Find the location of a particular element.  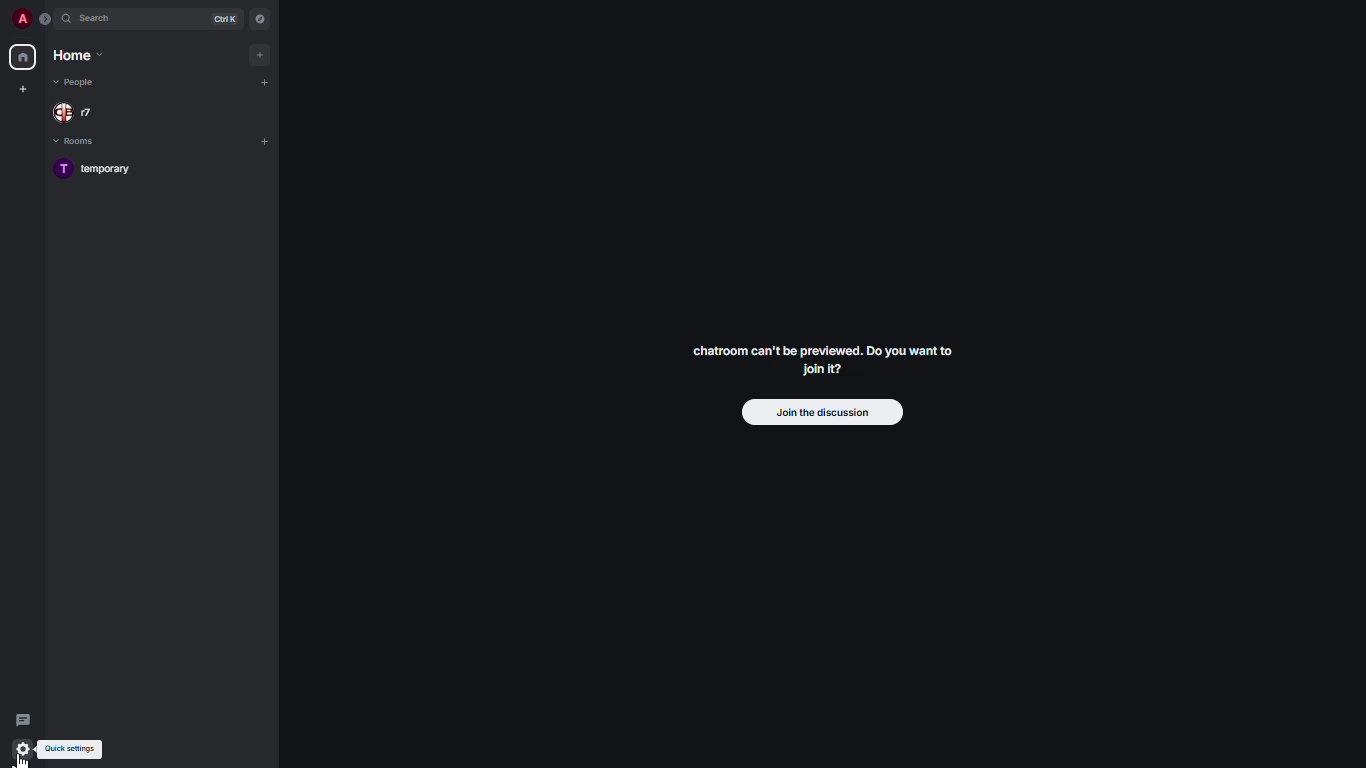

navigator is located at coordinates (258, 19).